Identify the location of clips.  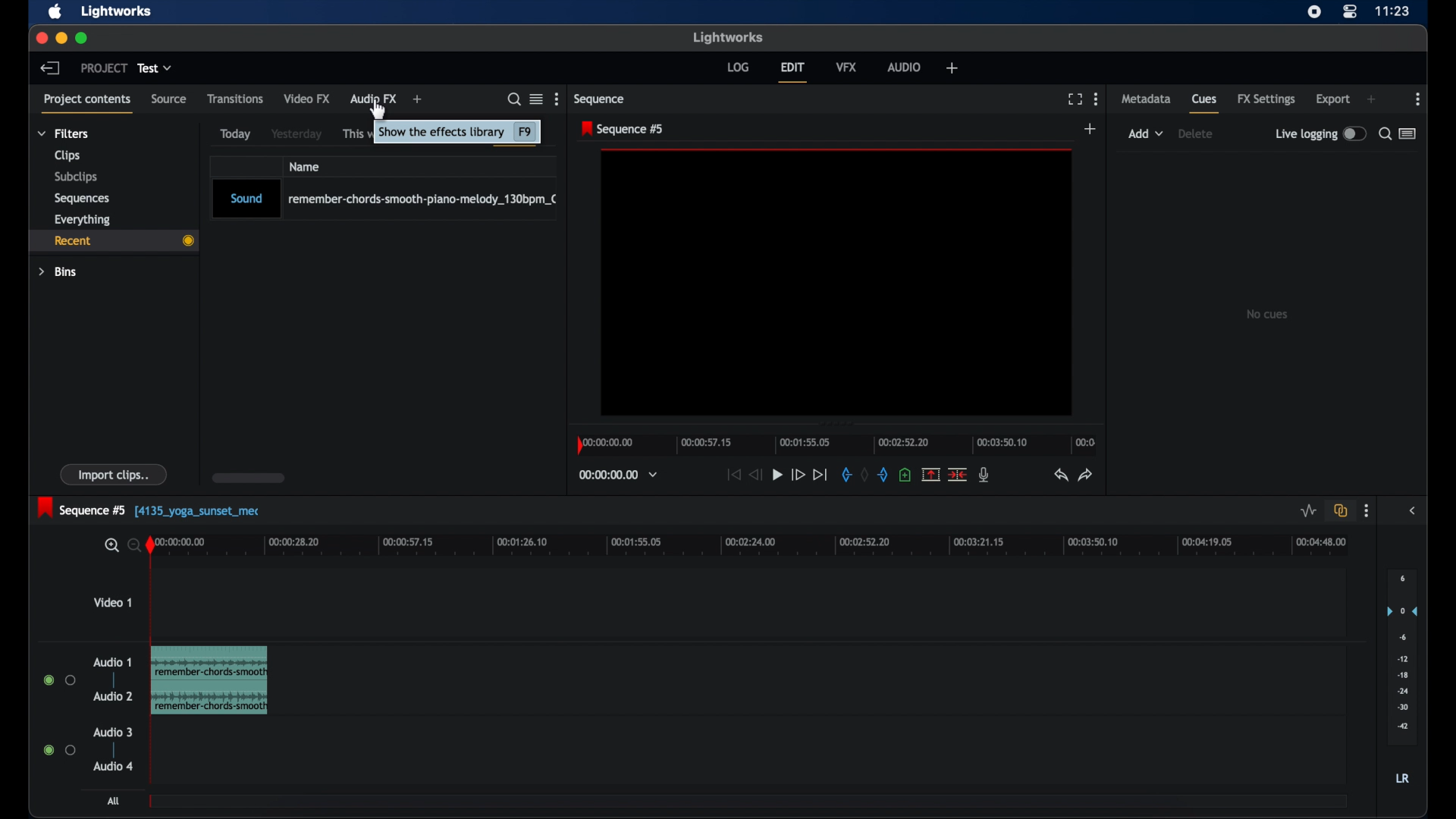
(67, 155).